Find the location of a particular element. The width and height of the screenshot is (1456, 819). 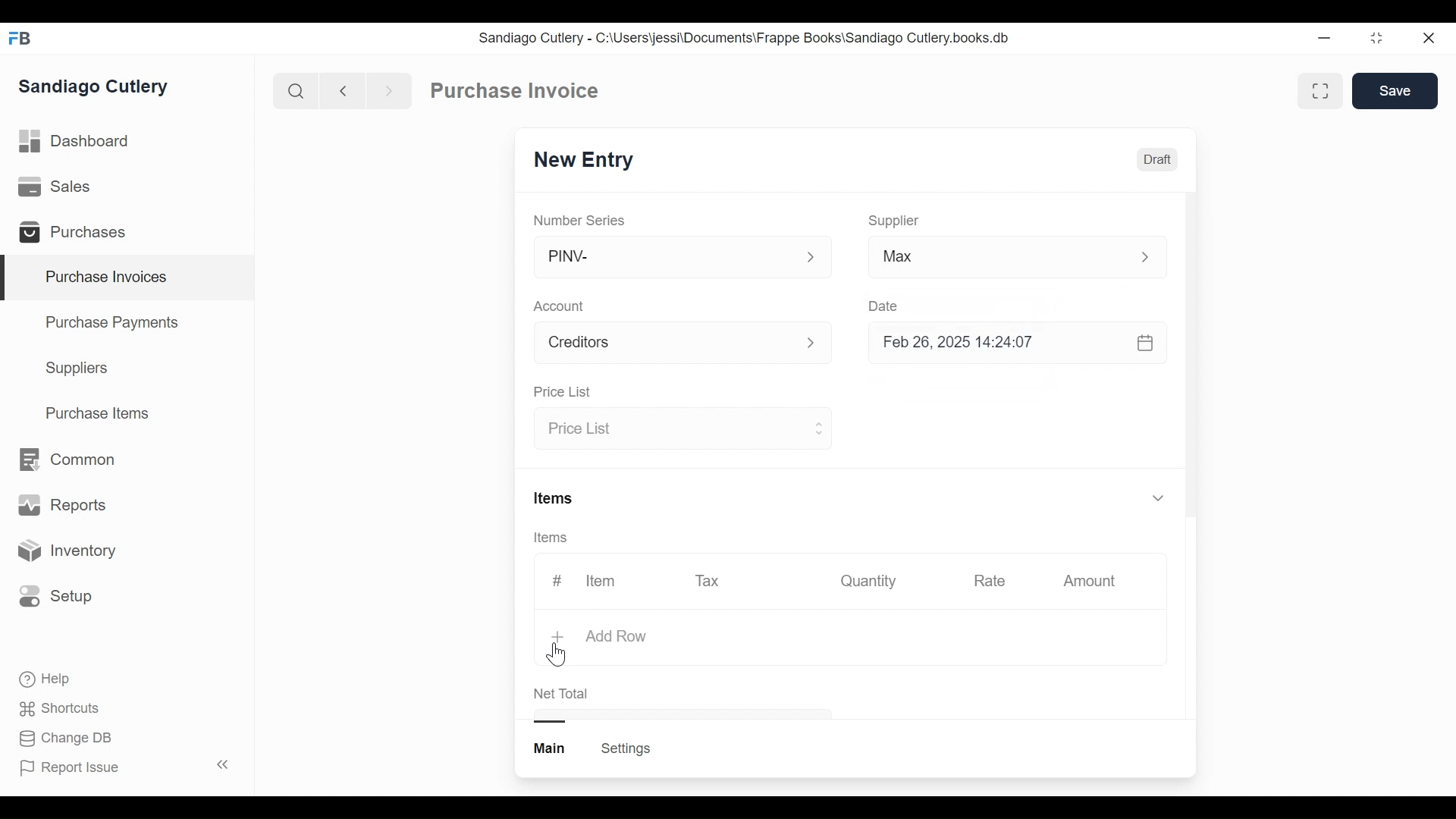

Item is located at coordinates (599, 581).